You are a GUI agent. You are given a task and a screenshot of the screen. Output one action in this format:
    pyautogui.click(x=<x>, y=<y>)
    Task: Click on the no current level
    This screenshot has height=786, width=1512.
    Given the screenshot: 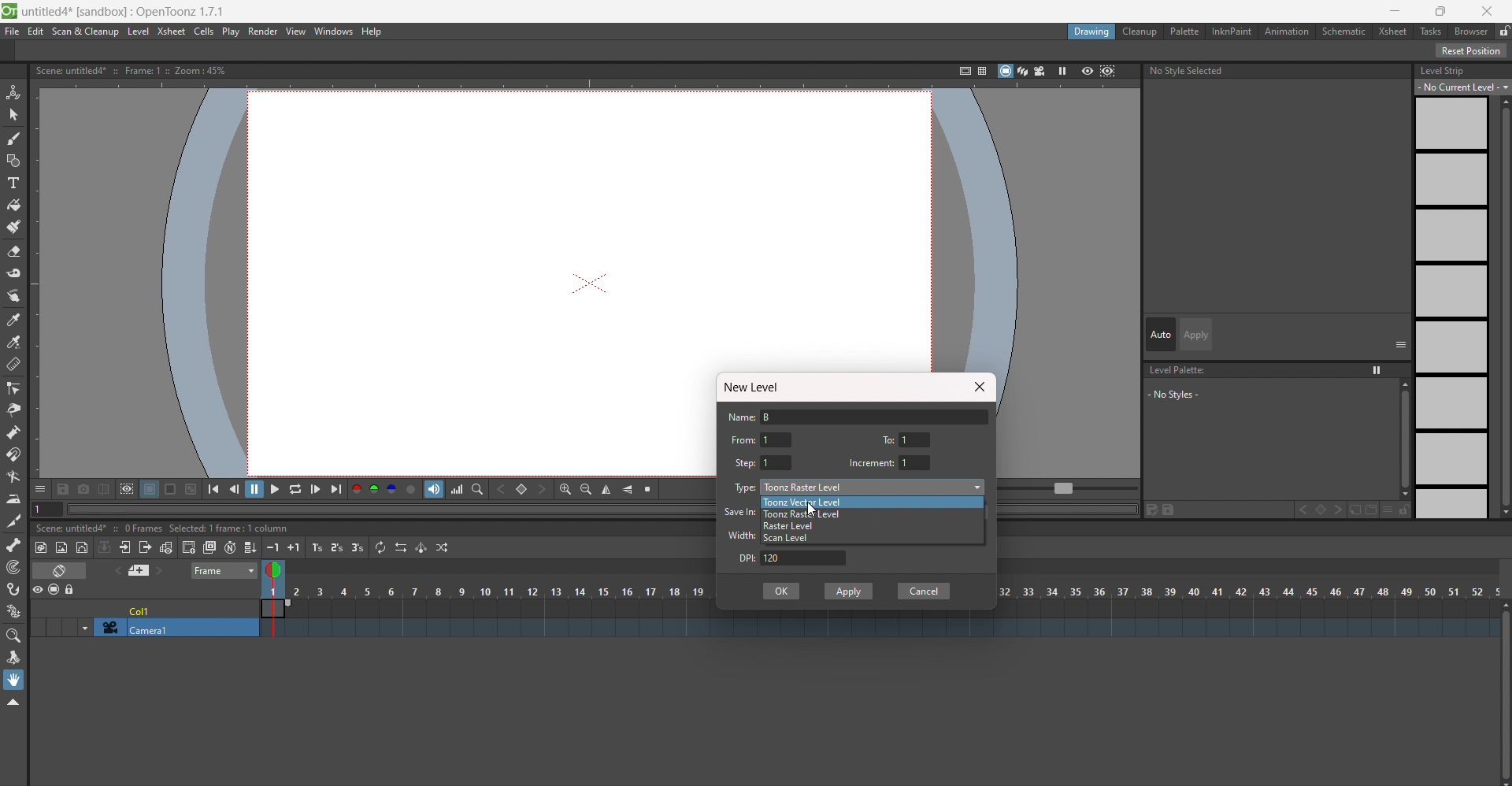 What is the action you would take?
    pyautogui.click(x=1464, y=87)
    